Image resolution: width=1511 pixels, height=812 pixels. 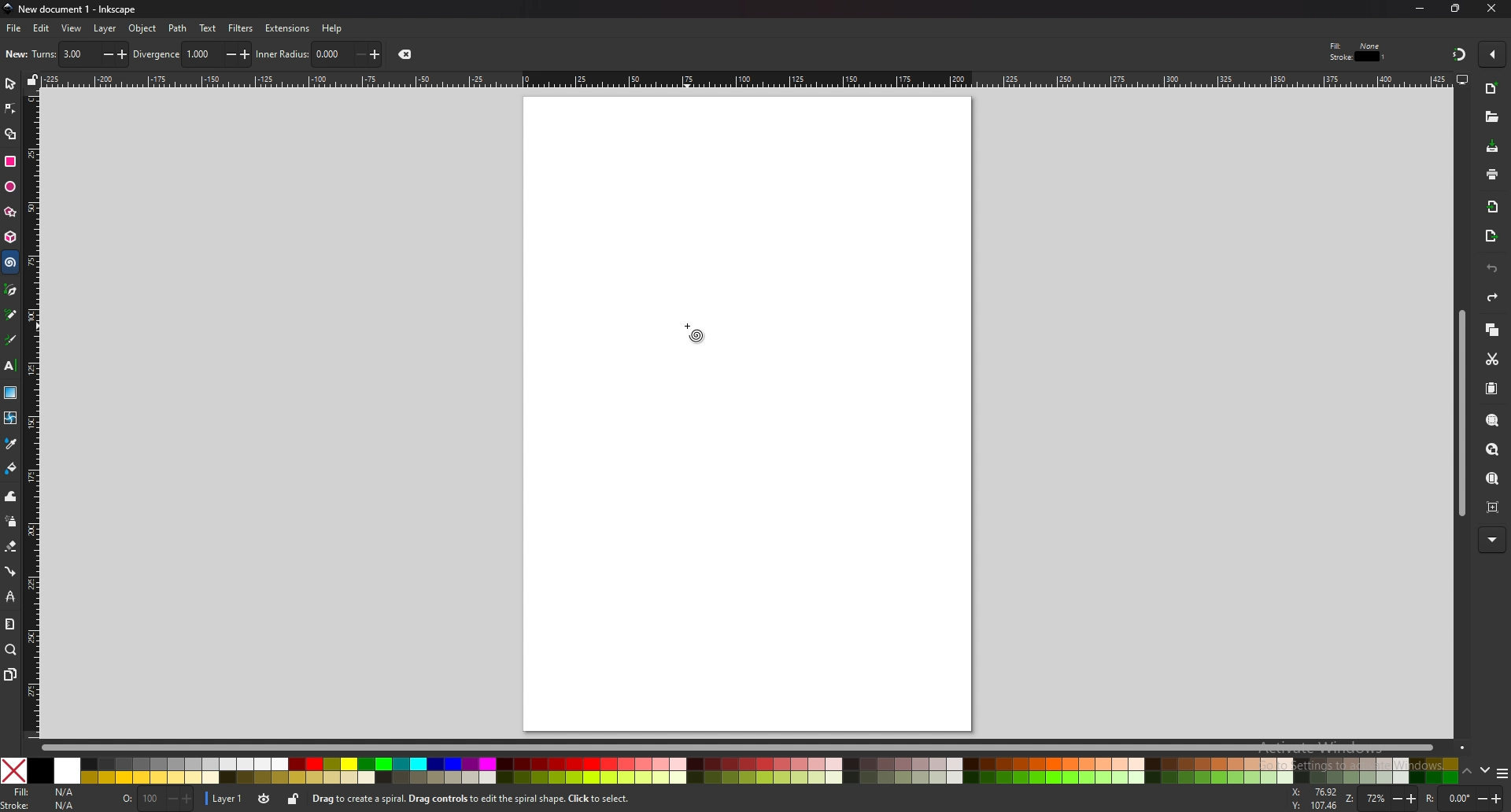 What do you see at coordinates (10, 364) in the screenshot?
I see `text` at bounding box center [10, 364].